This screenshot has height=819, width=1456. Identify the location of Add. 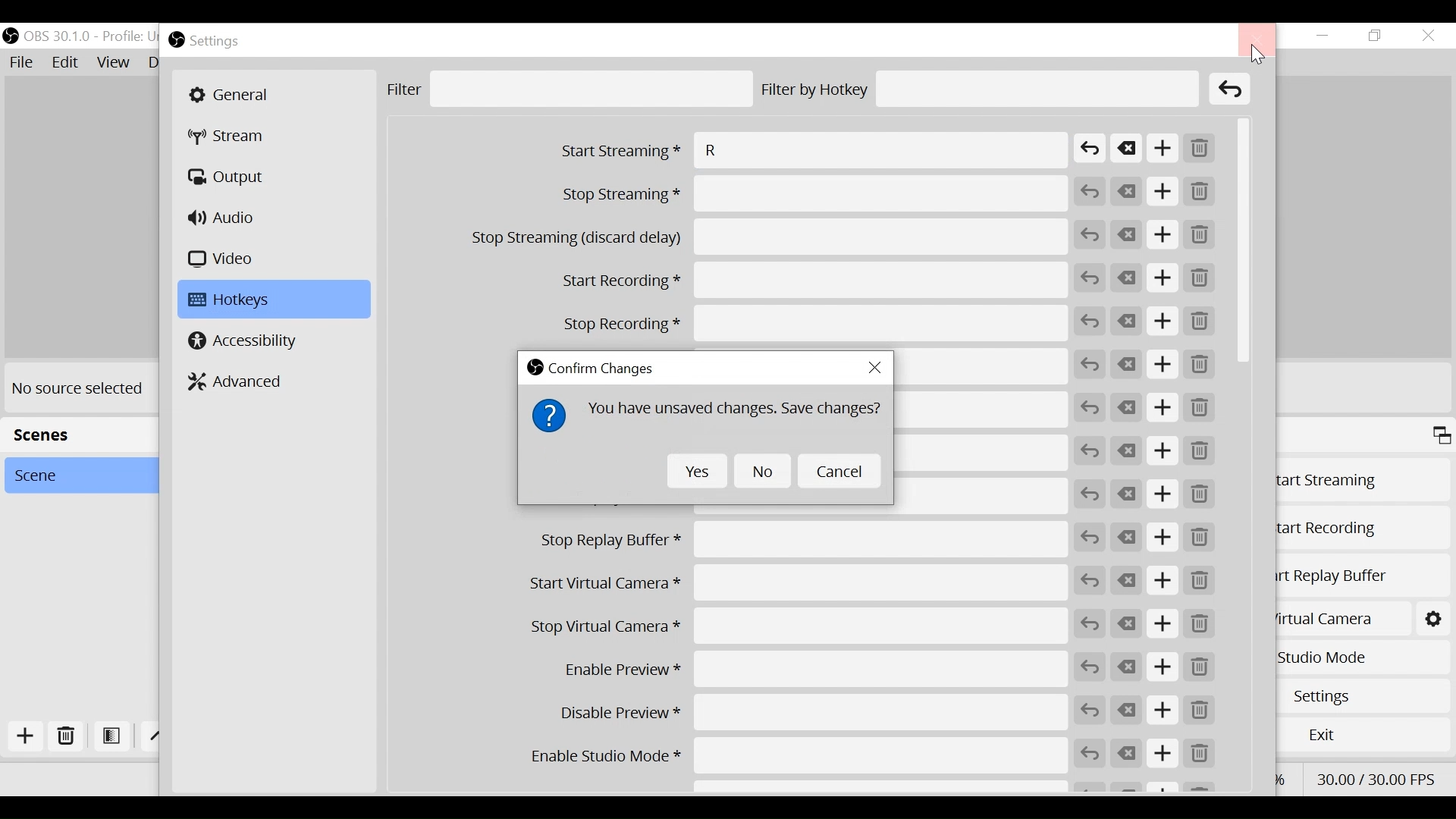
(1163, 236).